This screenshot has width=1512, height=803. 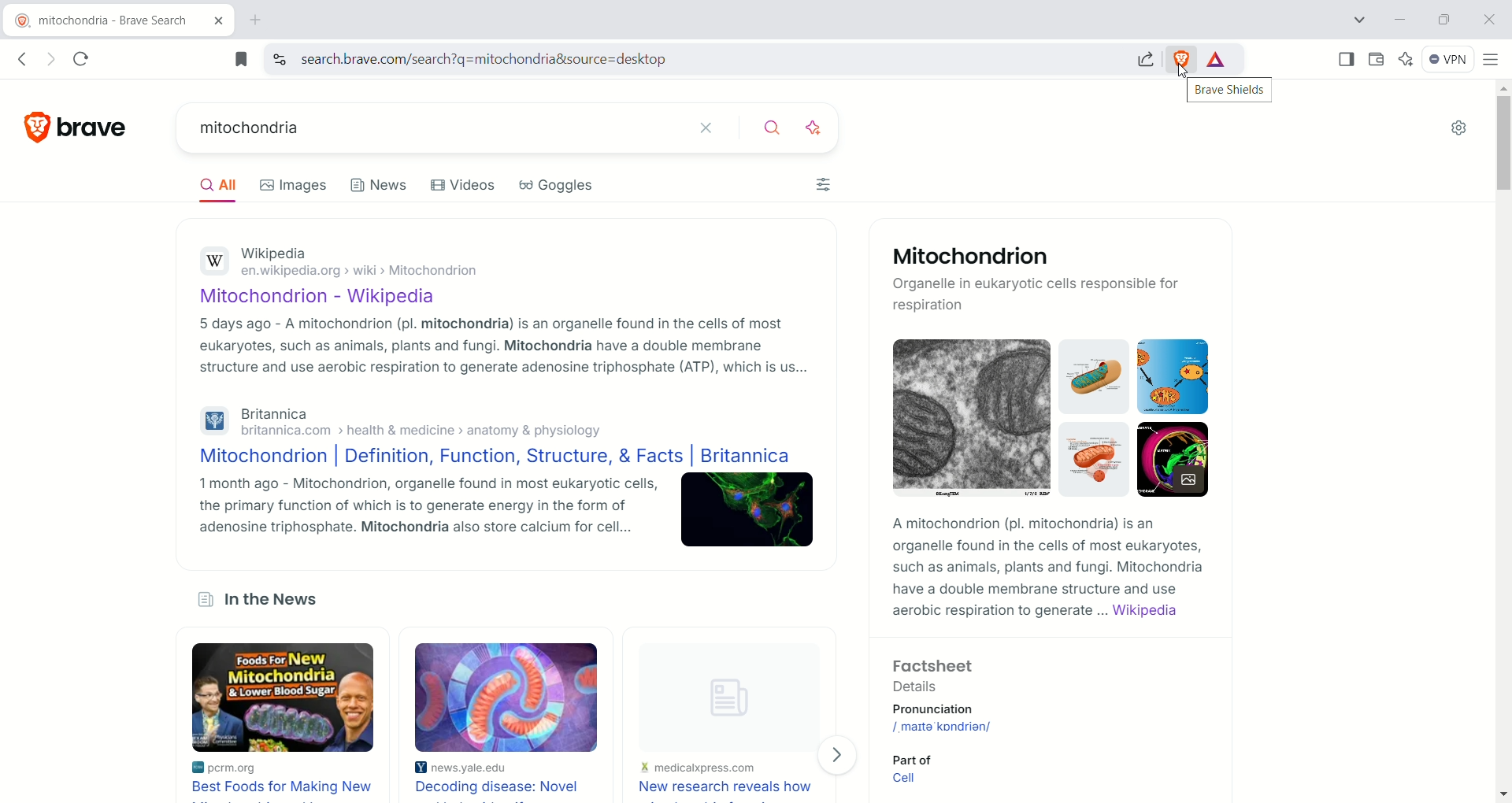 What do you see at coordinates (1503, 441) in the screenshot?
I see `vertical scroll bar` at bounding box center [1503, 441].